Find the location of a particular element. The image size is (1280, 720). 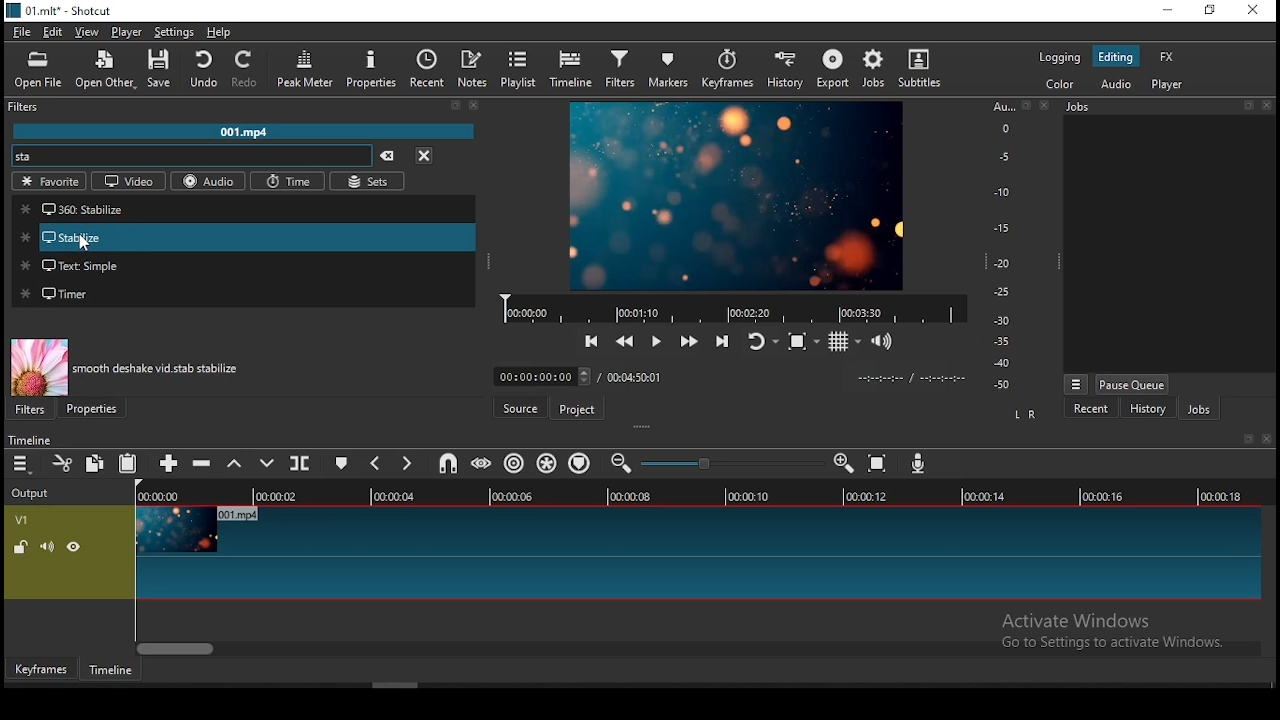

player is located at coordinates (1166, 84).